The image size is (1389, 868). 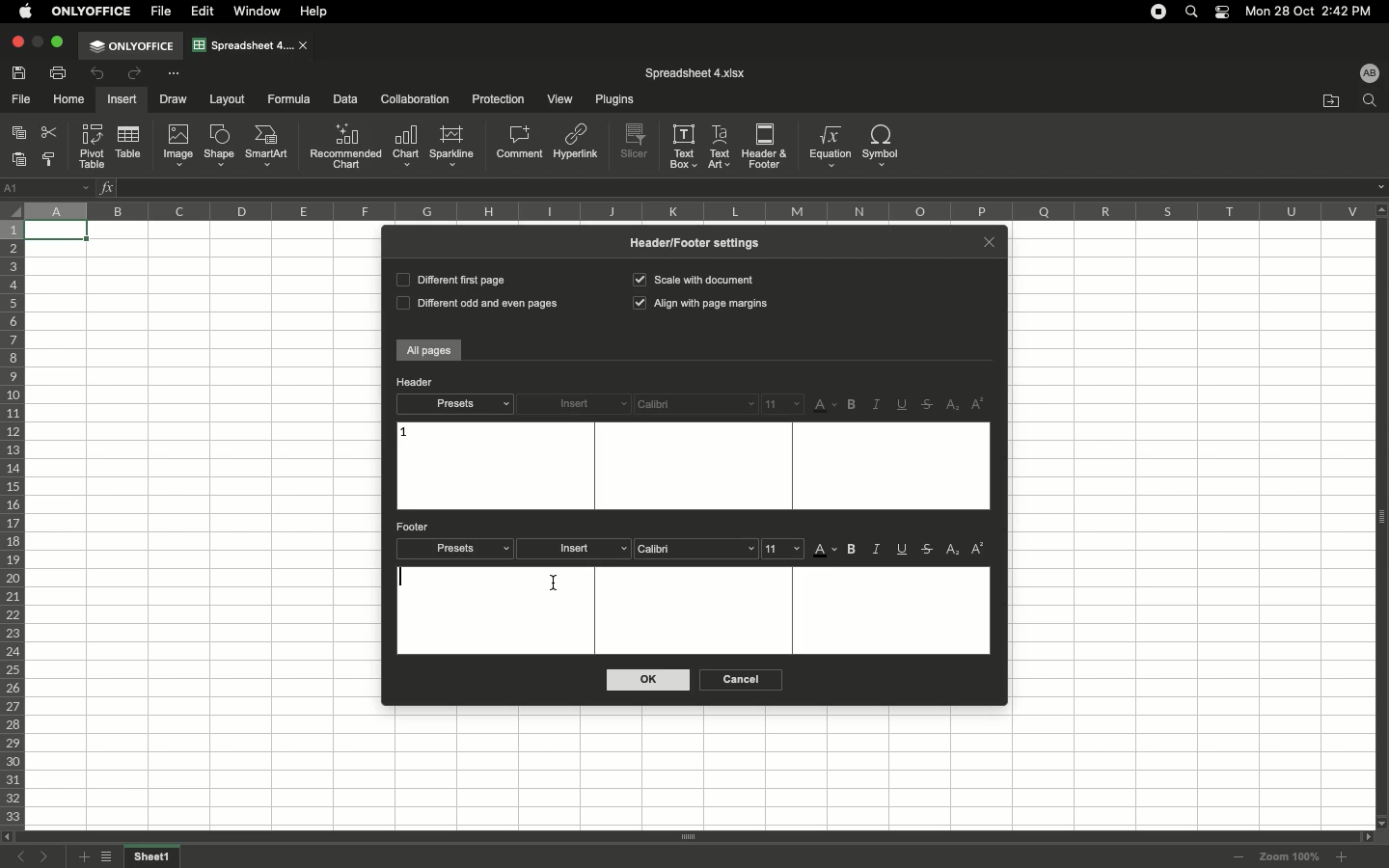 I want to click on Cell input, so click(x=743, y=188).